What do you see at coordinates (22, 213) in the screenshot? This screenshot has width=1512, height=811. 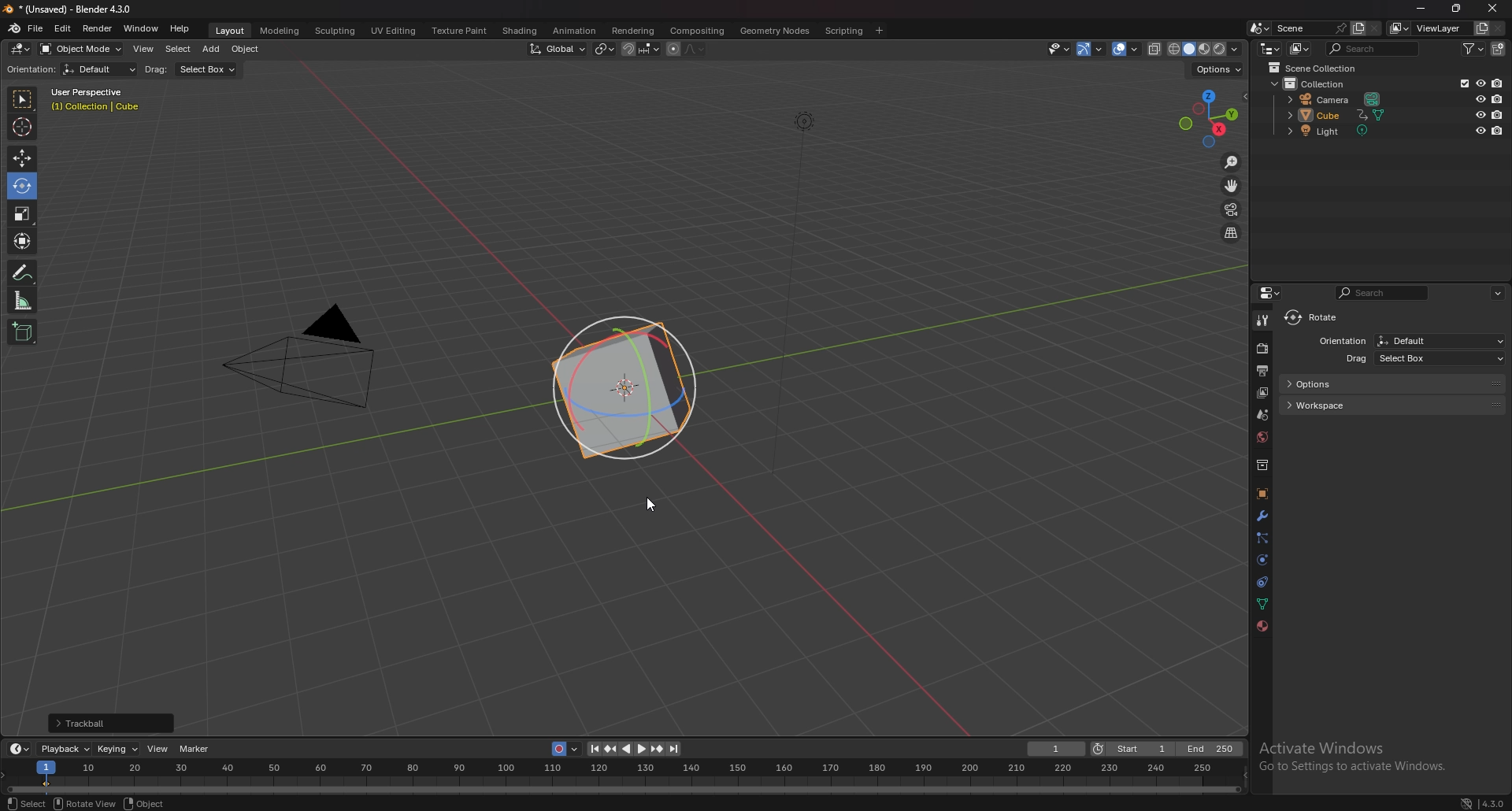 I see `scale` at bounding box center [22, 213].